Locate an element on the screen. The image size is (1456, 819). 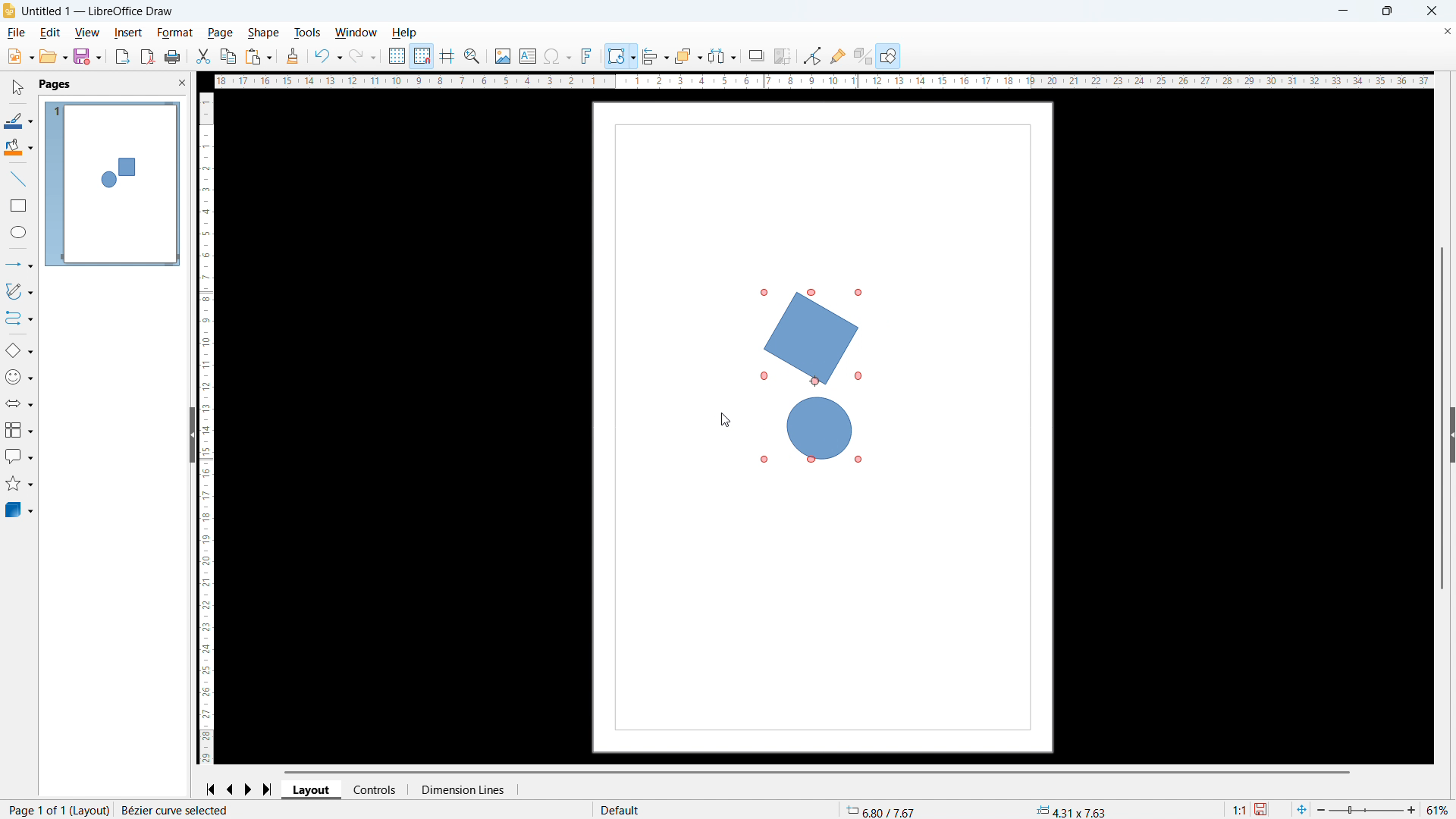
Cursor  is located at coordinates (723, 417).